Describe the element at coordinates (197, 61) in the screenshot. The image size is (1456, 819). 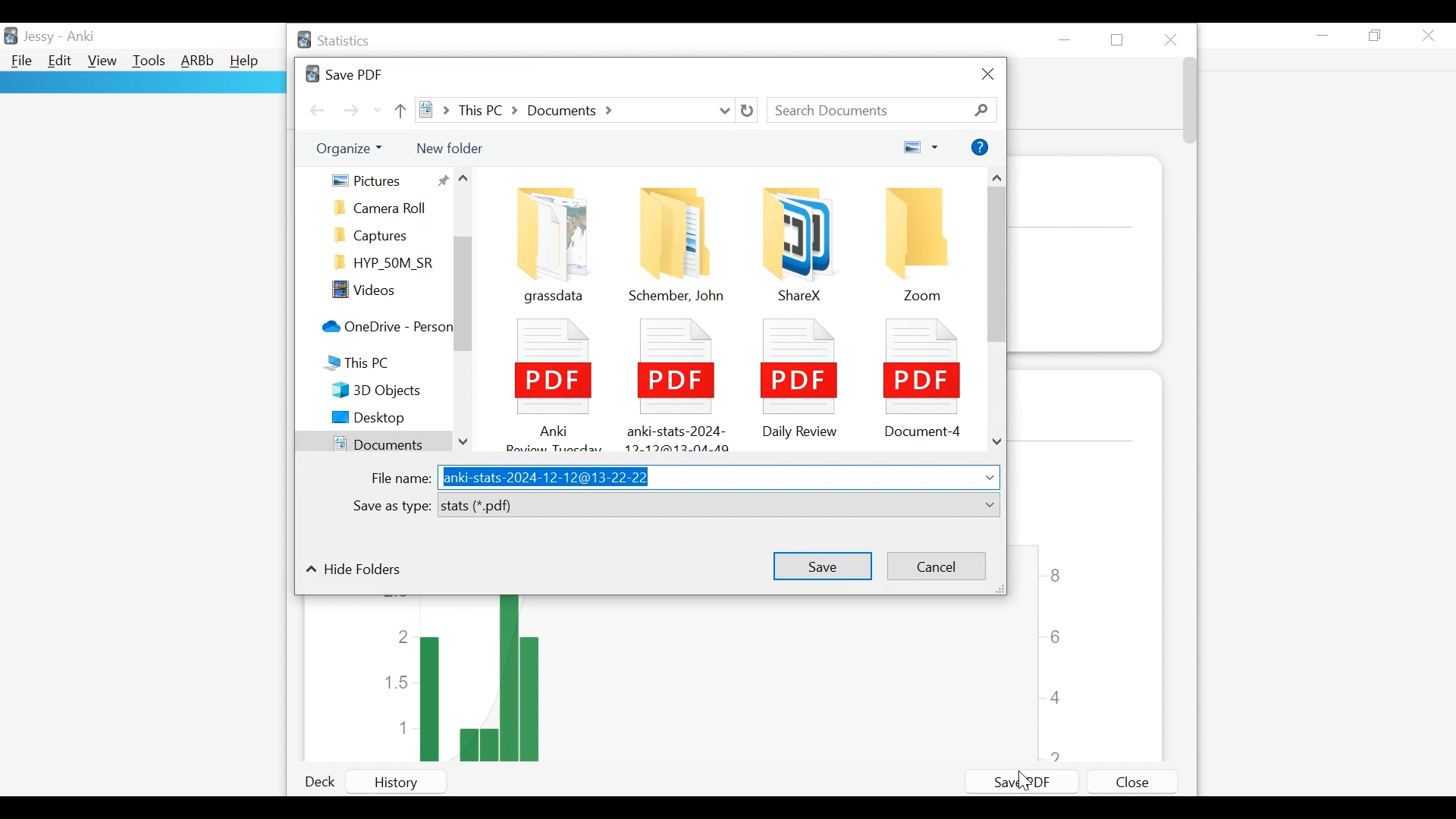
I see `Advanced Review Button bar` at that location.